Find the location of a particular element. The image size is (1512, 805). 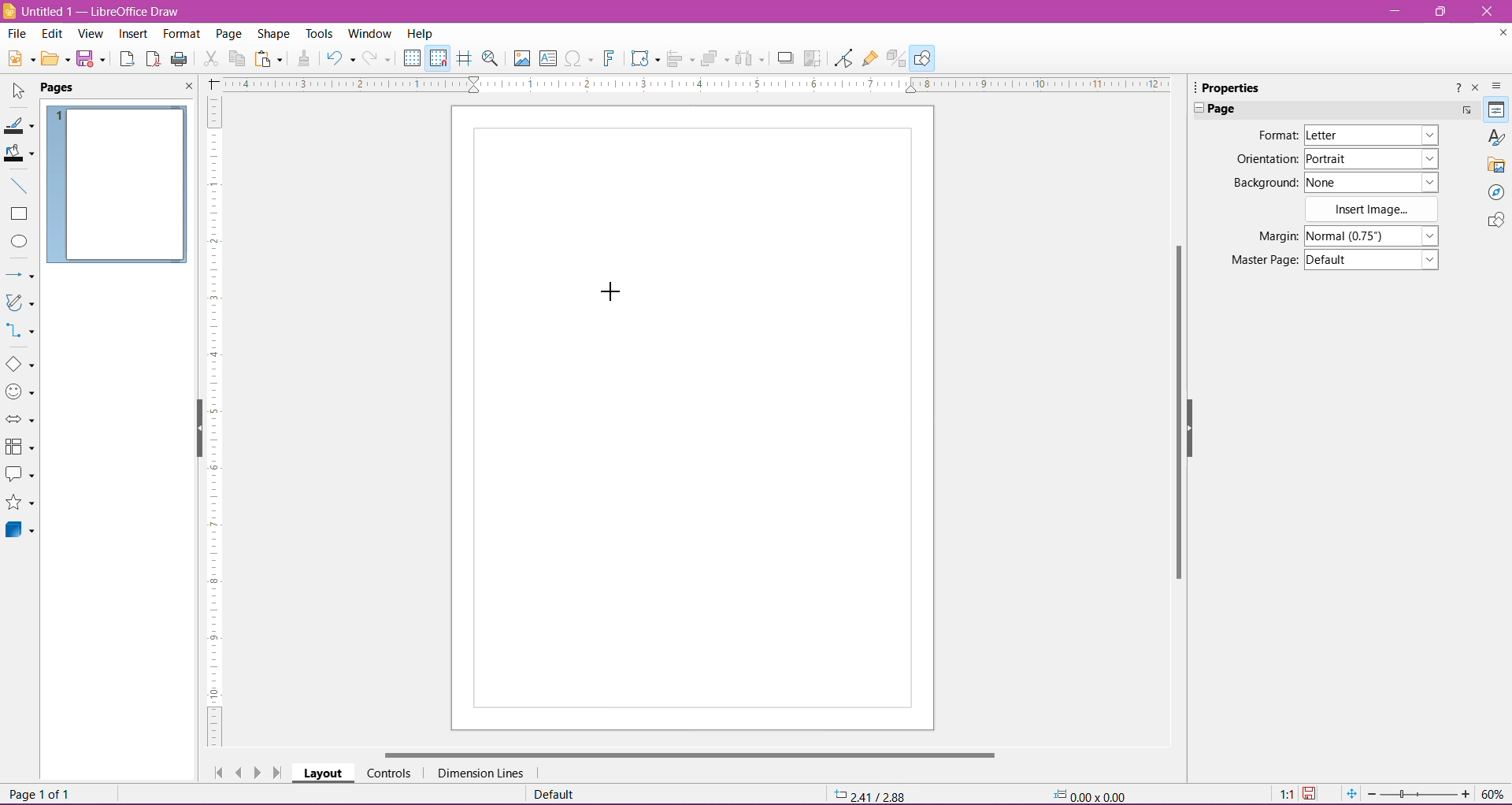

Insert Text Box is located at coordinates (548, 57).